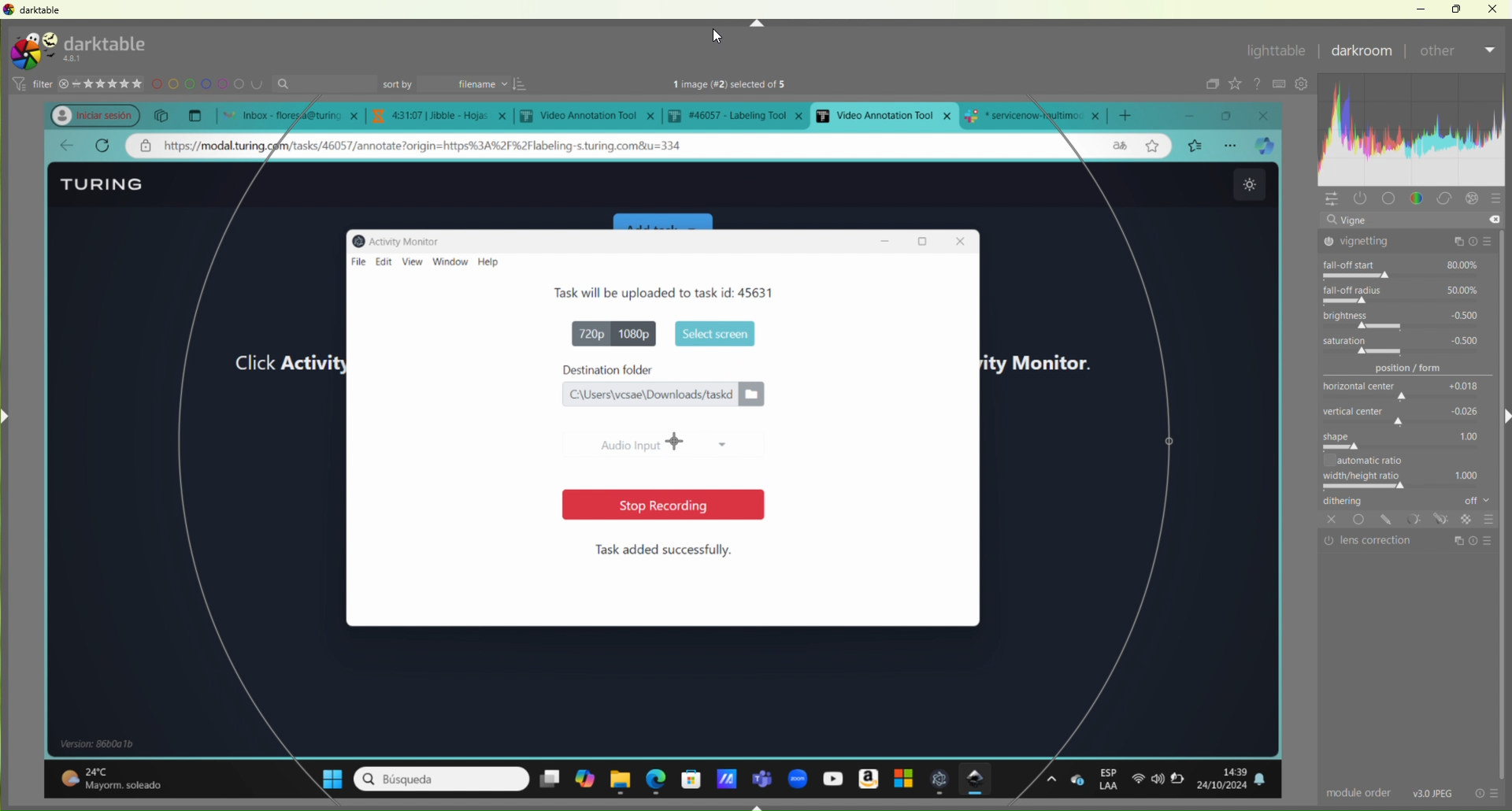  What do you see at coordinates (1269, 780) in the screenshot?
I see `notifications` at bounding box center [1269, 780].